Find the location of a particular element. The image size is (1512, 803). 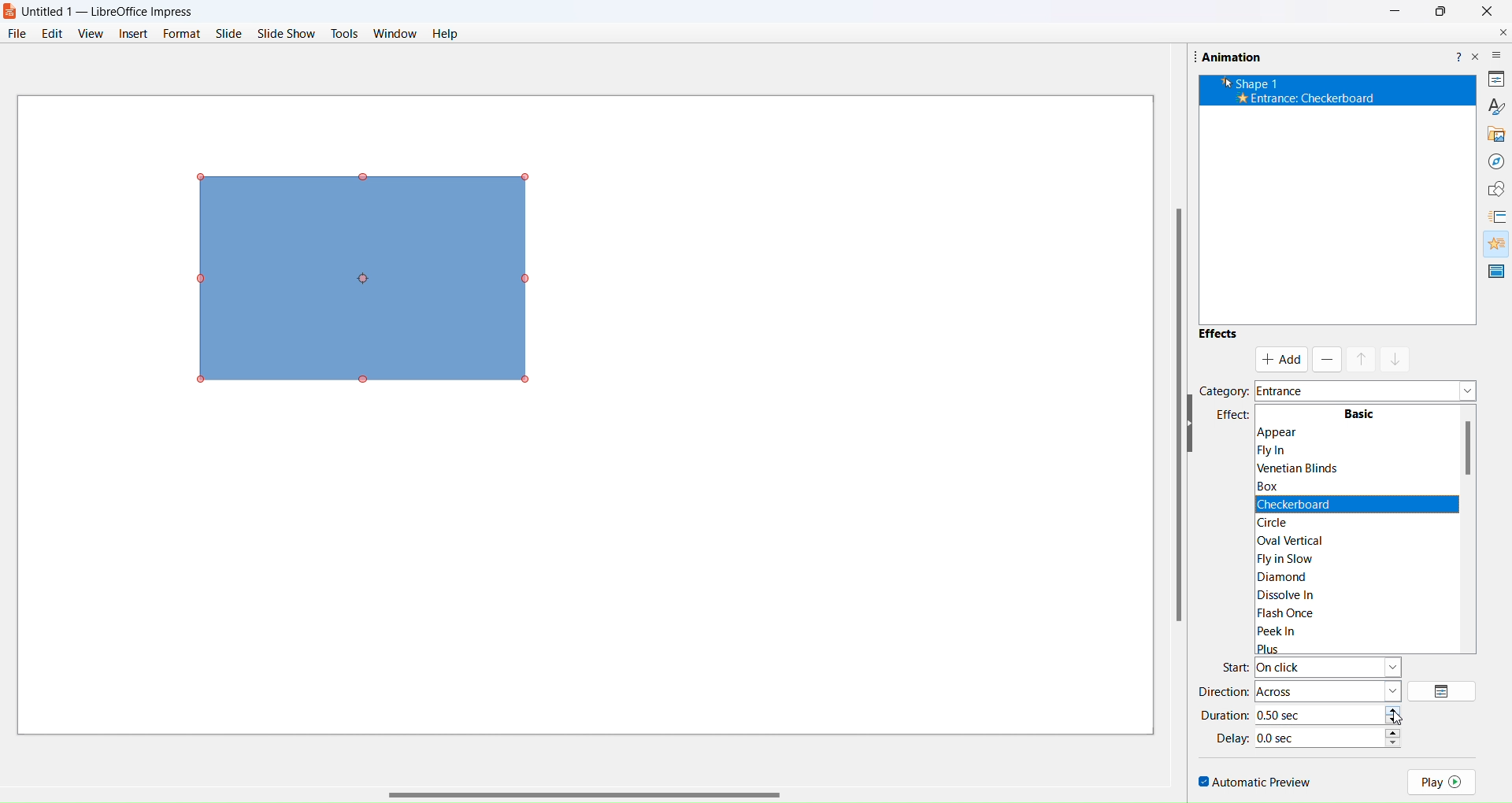

close pane is located at coordinates (1477, 61).